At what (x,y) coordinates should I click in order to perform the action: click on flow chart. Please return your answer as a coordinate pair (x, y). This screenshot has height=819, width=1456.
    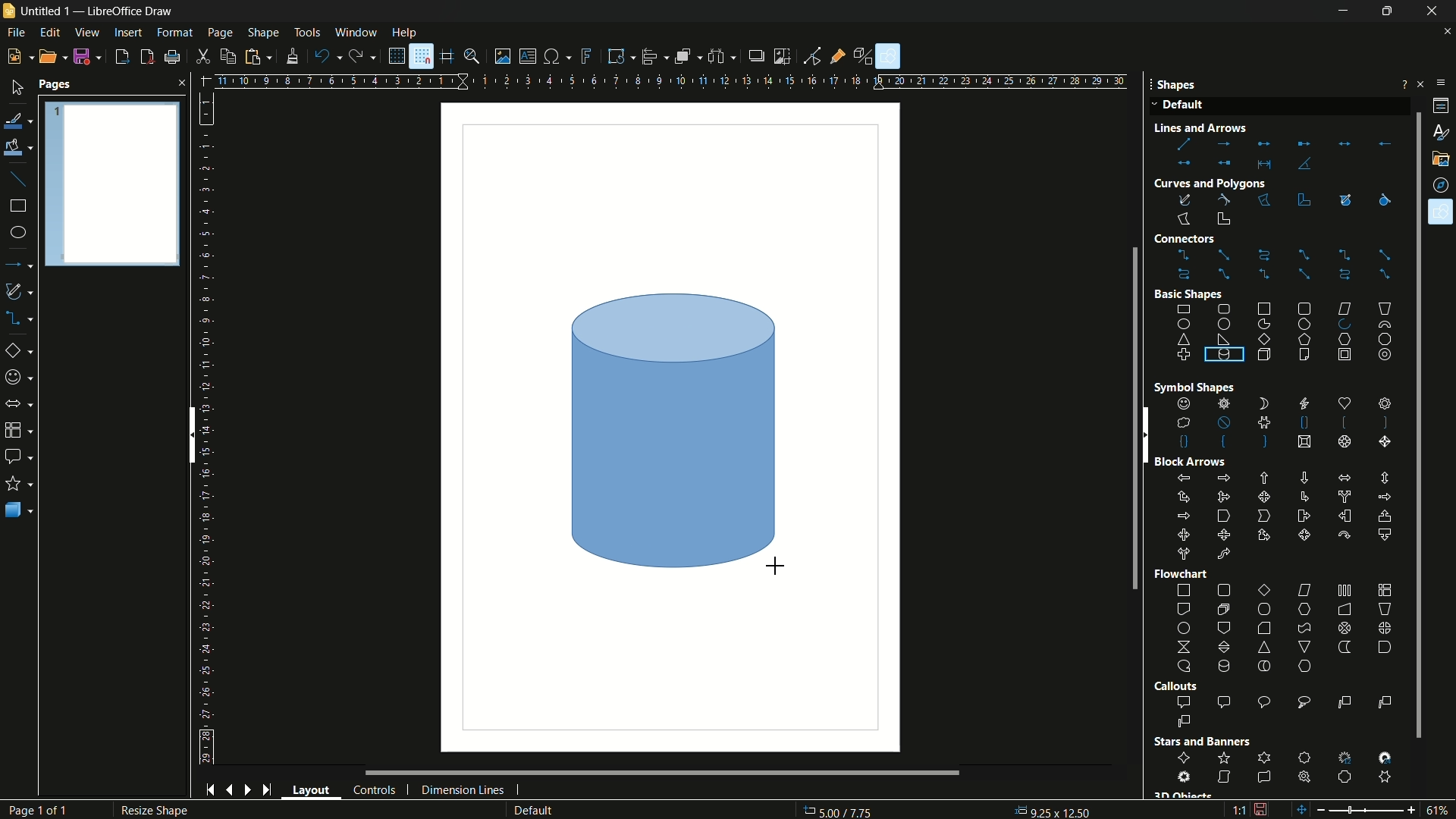
    Looking at the image, I should click on (22, 430).